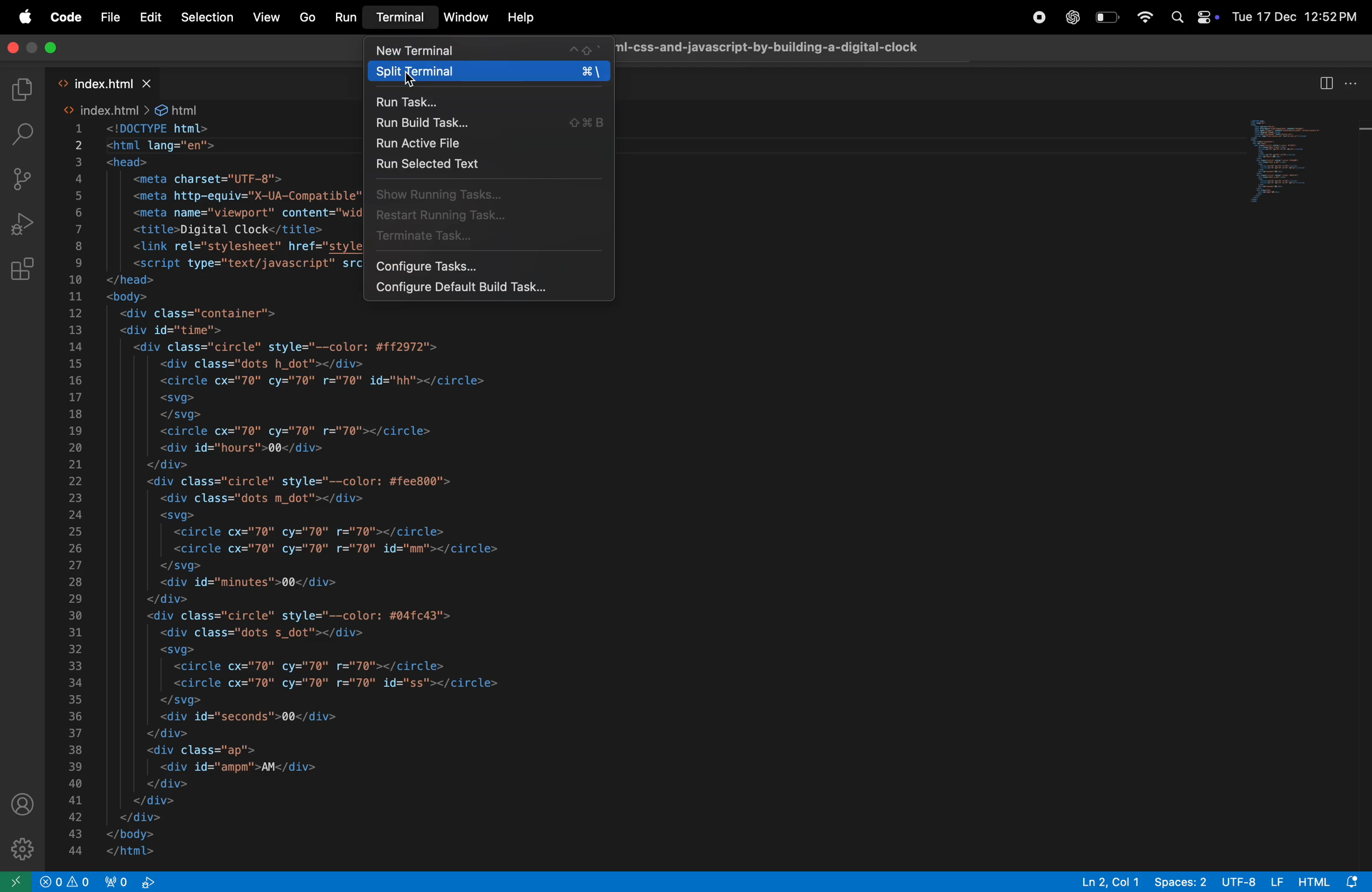 The image size is (1372, 892). I want to click on record, so click(1034, 16).